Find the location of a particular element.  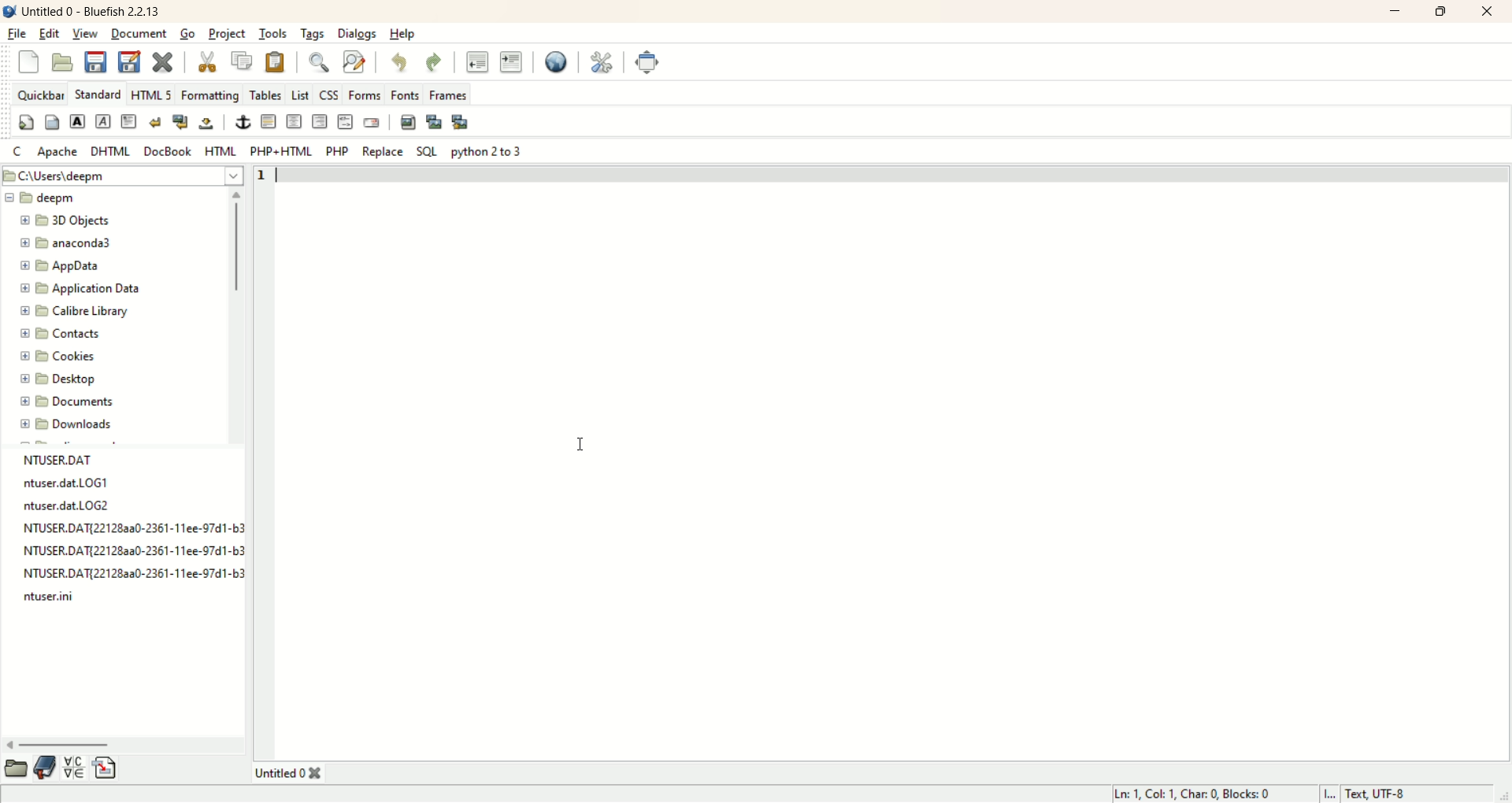

DHTML is located at coordinates (113, 152).